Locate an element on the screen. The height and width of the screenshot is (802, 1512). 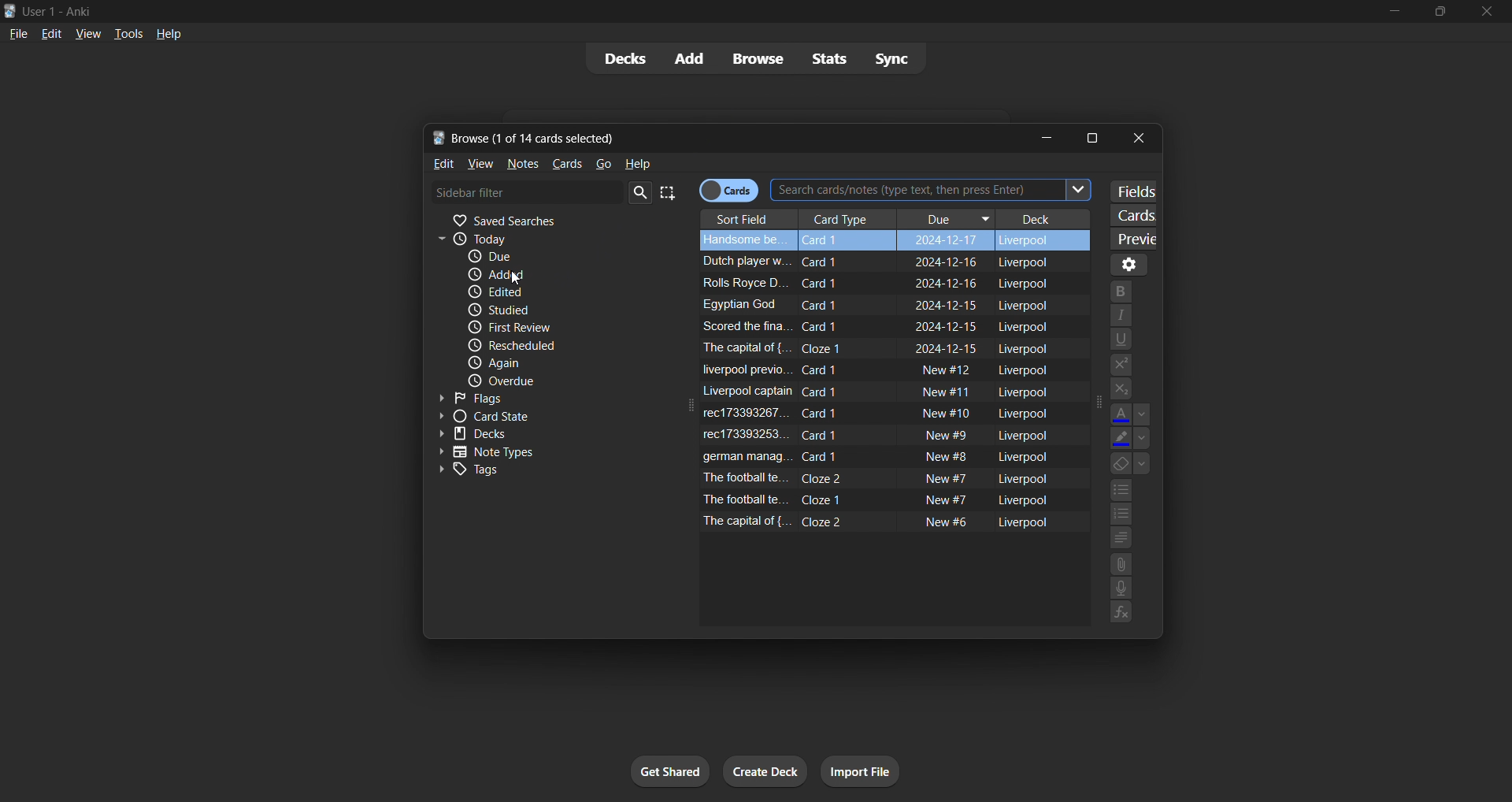
german manag... Card 1 New#8 Liverpool is located at coordinates (878, 455).